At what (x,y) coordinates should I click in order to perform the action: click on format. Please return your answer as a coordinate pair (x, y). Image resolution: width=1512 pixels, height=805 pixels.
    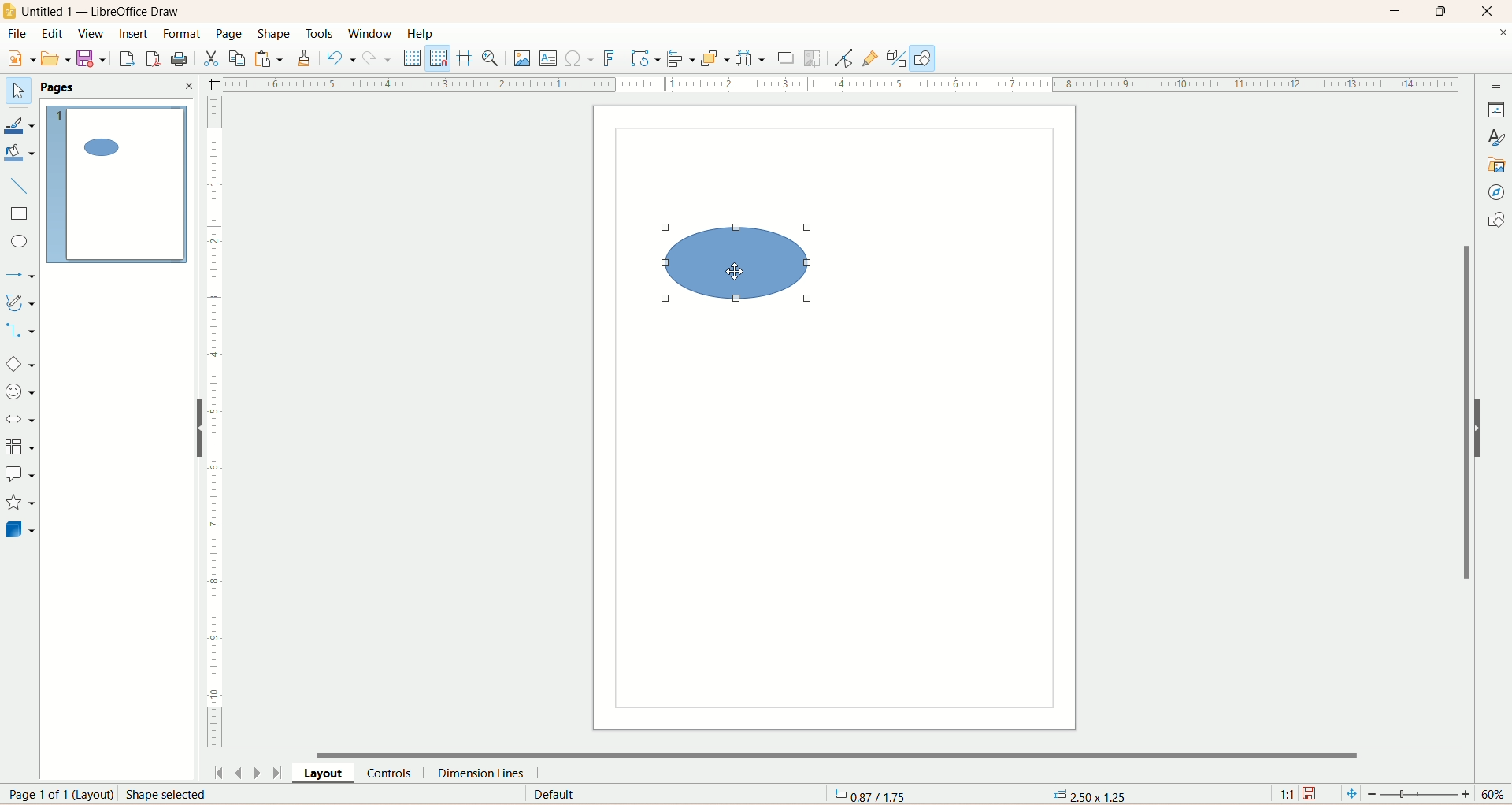
    Looking at the image, I should click on (186, 35).